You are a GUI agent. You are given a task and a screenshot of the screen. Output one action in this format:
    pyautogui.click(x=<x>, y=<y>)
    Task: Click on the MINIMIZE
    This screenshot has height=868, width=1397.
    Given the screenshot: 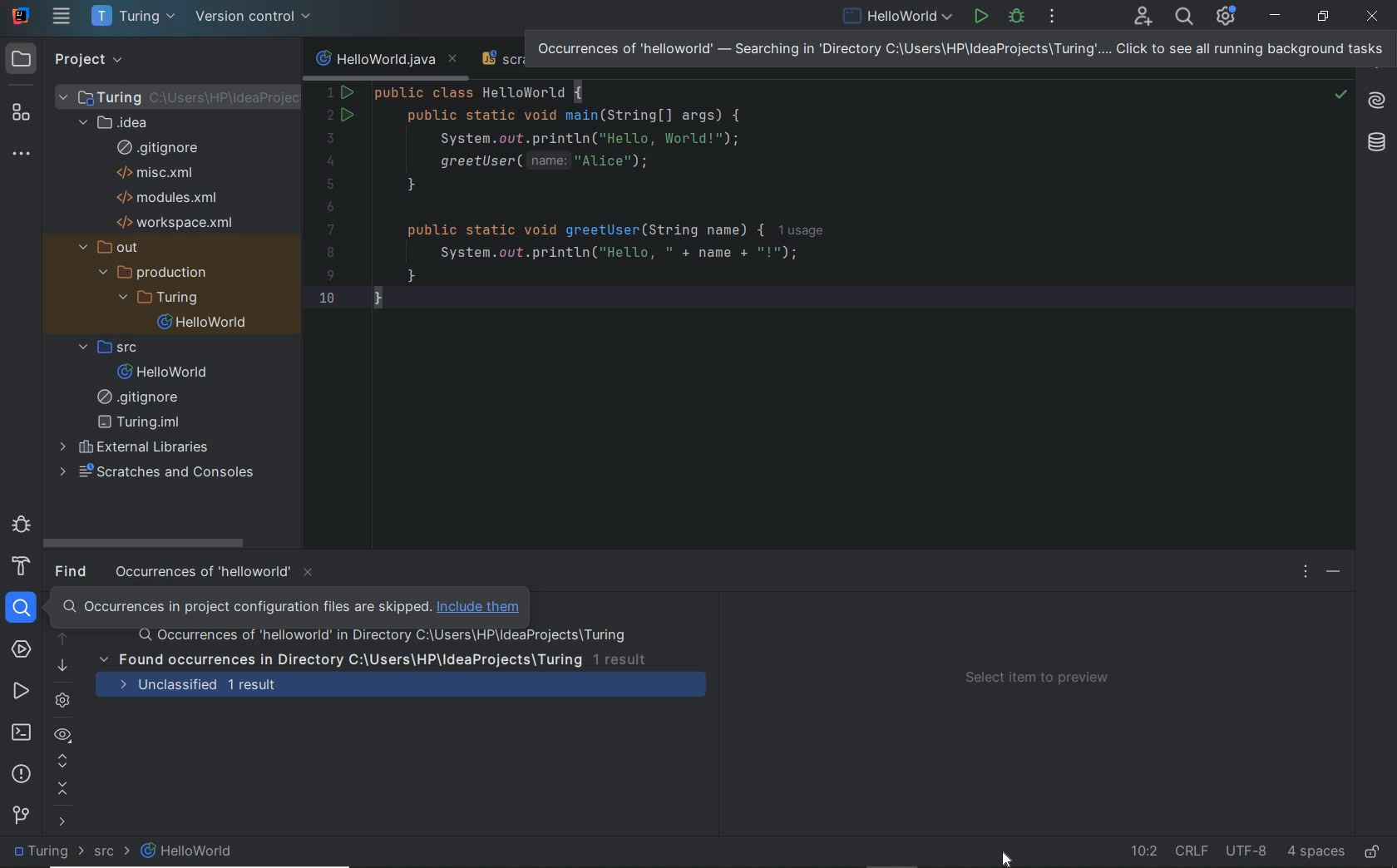 What is the action you would take?
    pyautogui.click(x=1276, y=16)
    